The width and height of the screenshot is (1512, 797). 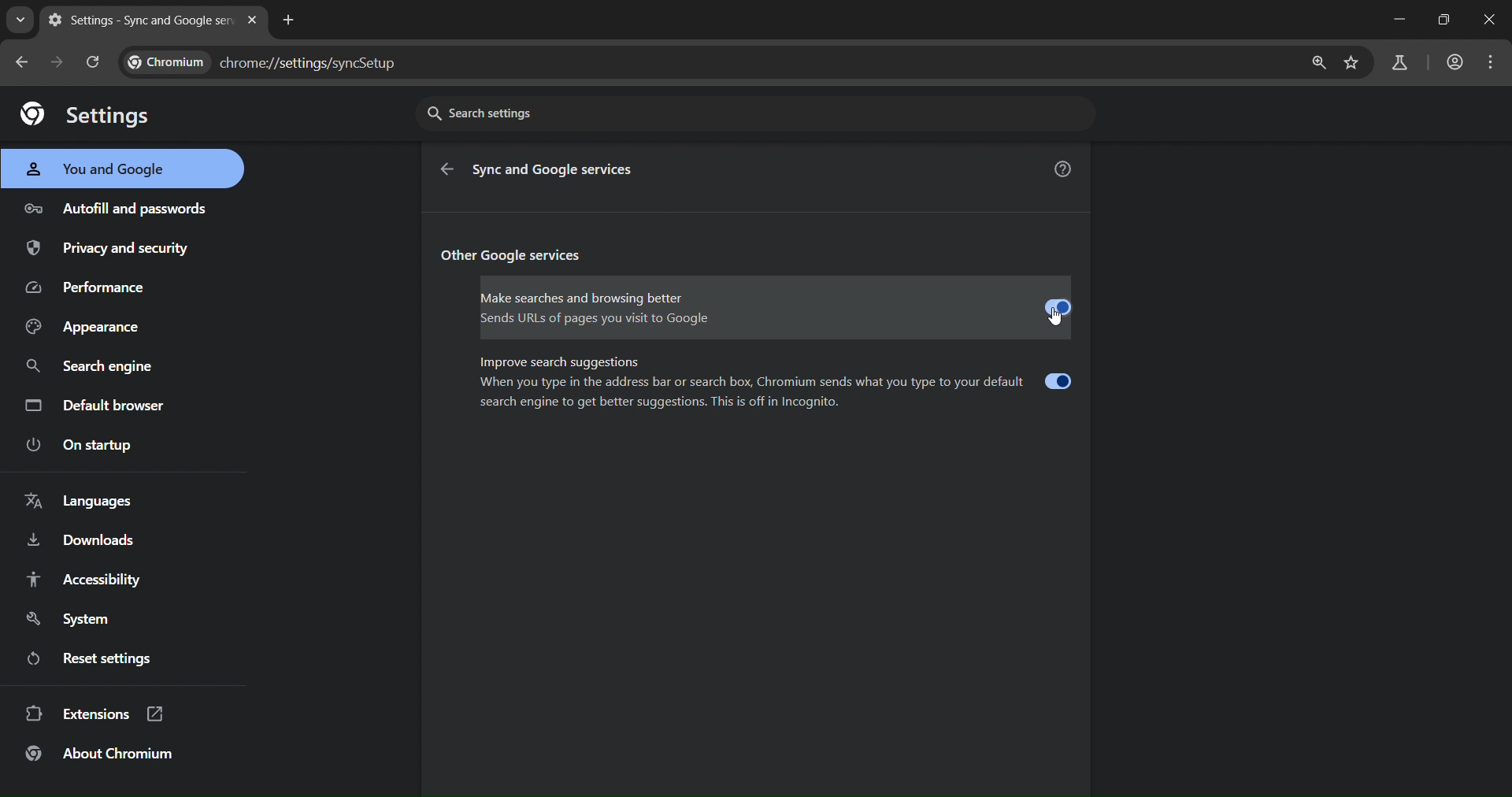 What do you see at coordinates (265, 65) in the screenshot?
I see `chrome://settingd/syncSetup` at bounding box center [265, 65].